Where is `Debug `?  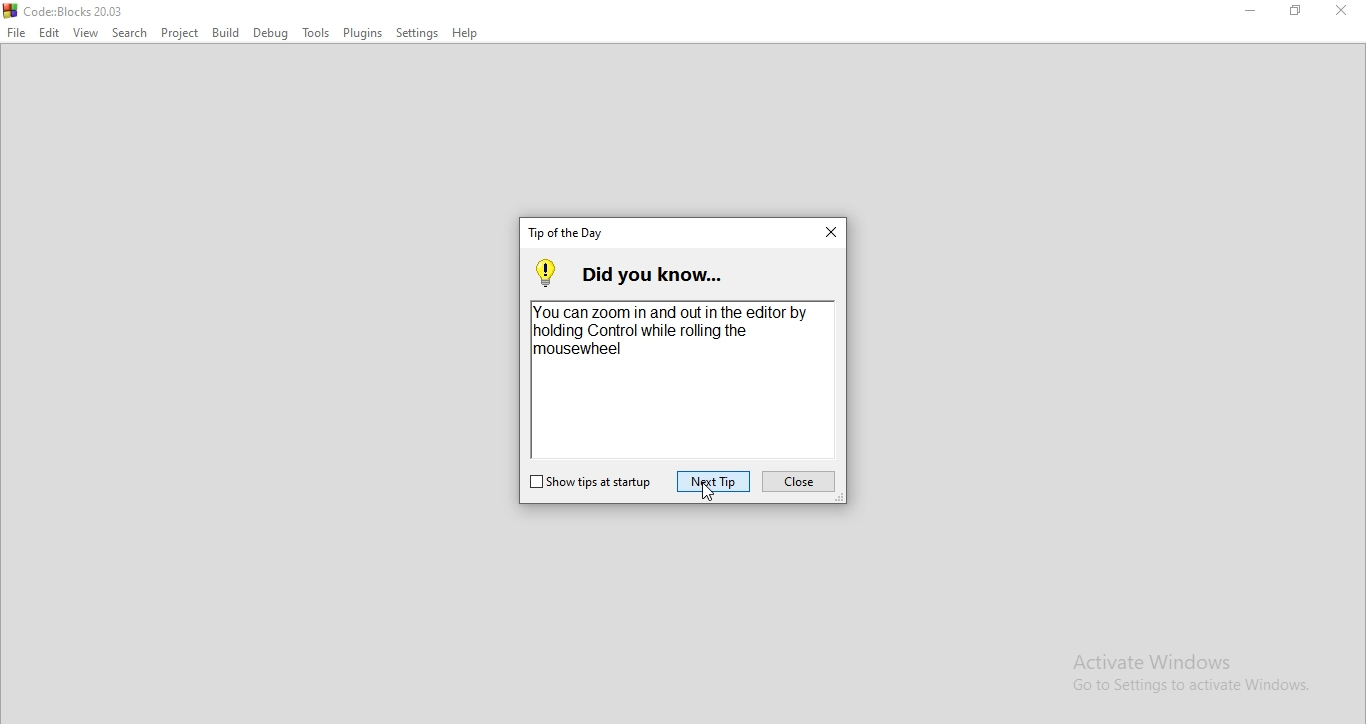
Debug  is located at coordinates (270, 34).